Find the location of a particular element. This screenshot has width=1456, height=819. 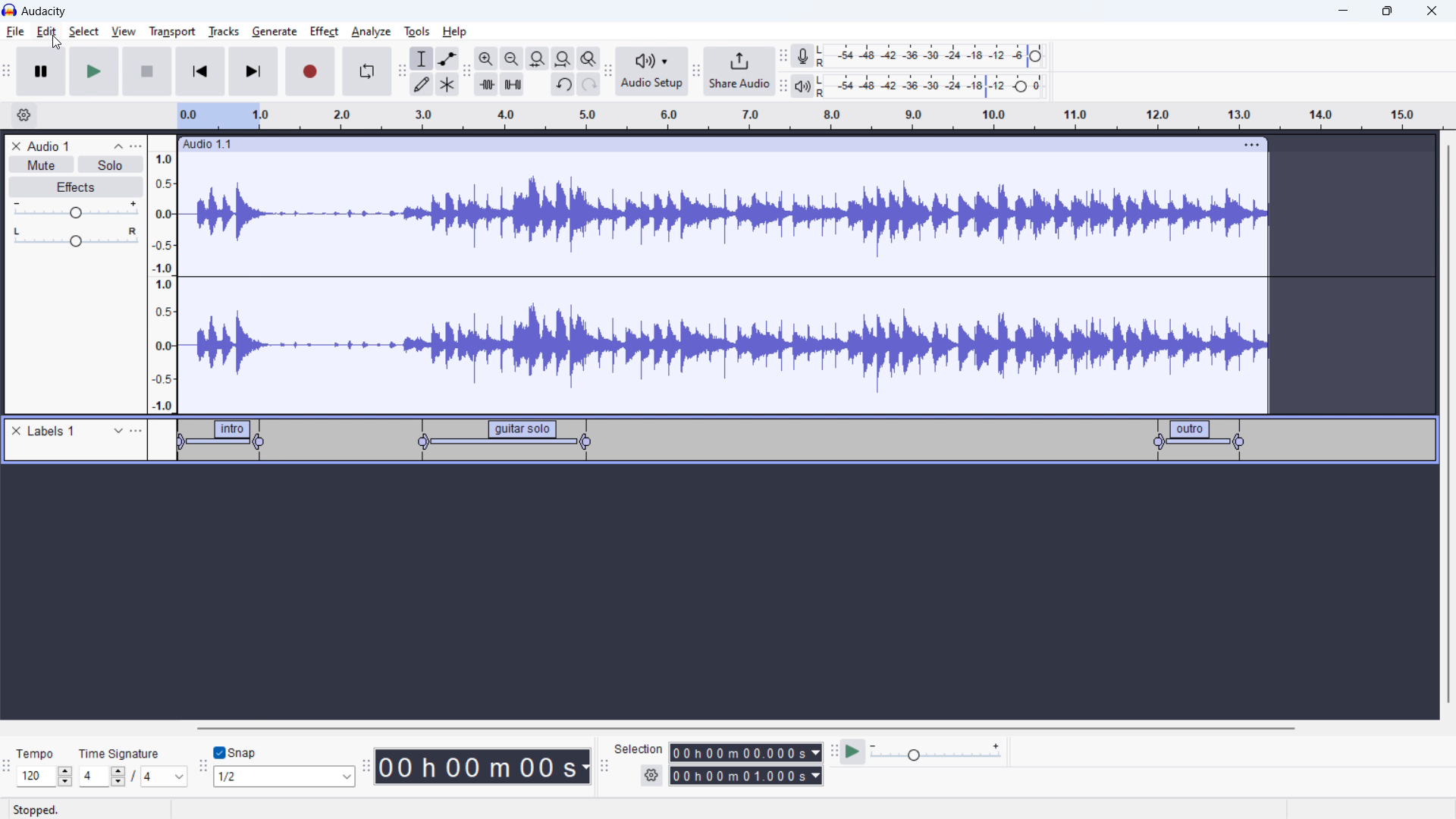

zoom in is located at coordinates (486, 58).